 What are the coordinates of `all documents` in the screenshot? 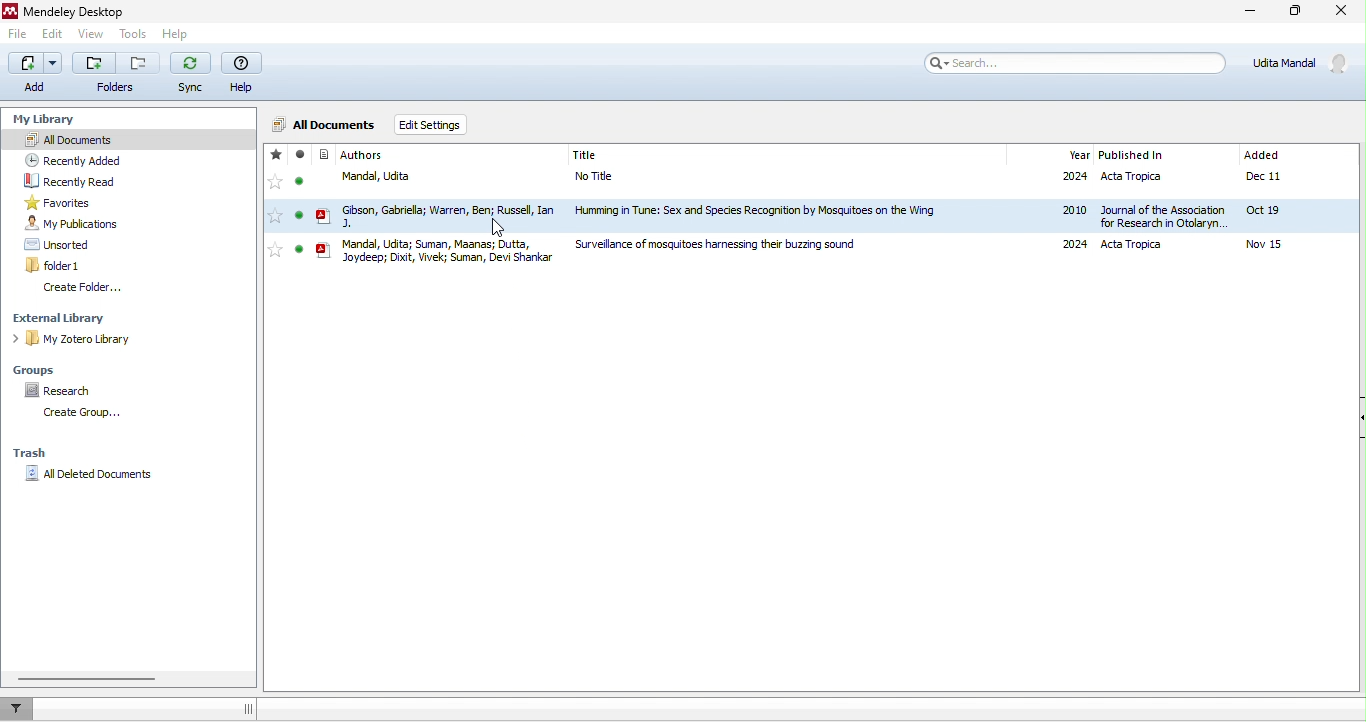 It's located at (325, 125).